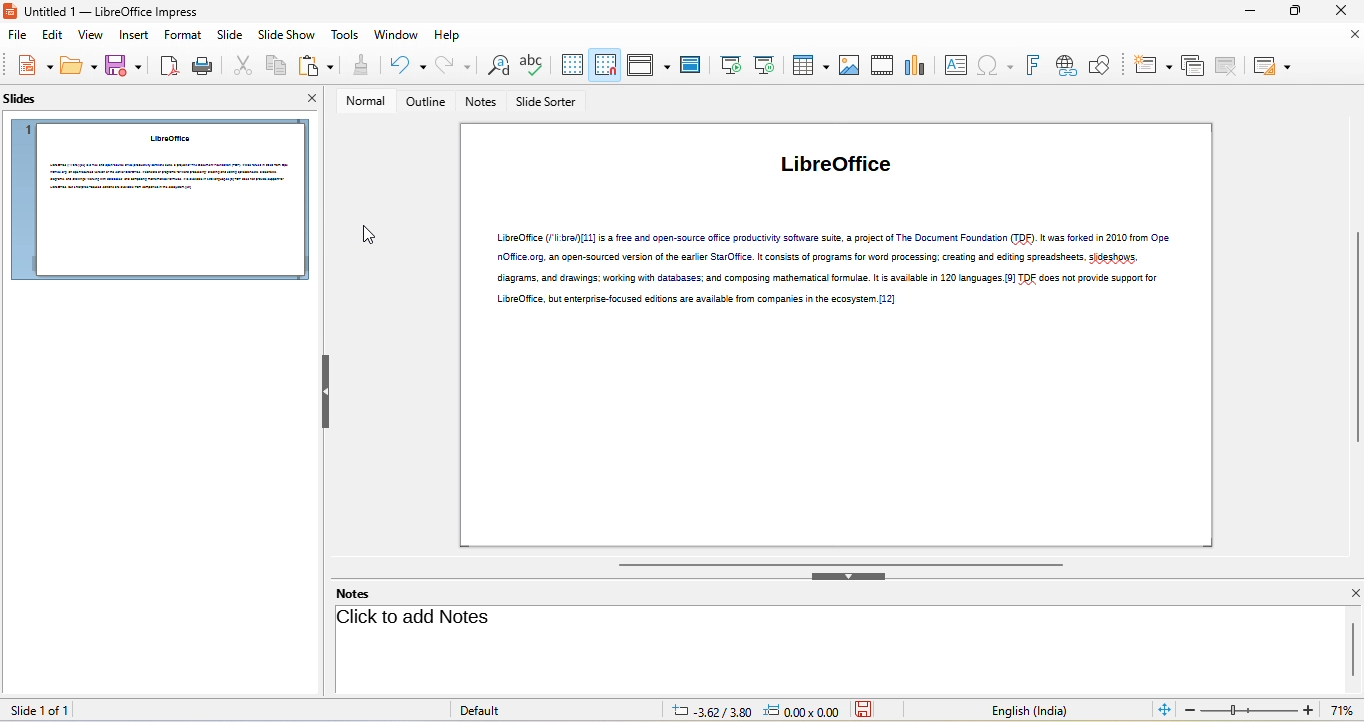  Describe the element at coordinates (572, 68) in the screenshot. I see `display to grid` at that location.